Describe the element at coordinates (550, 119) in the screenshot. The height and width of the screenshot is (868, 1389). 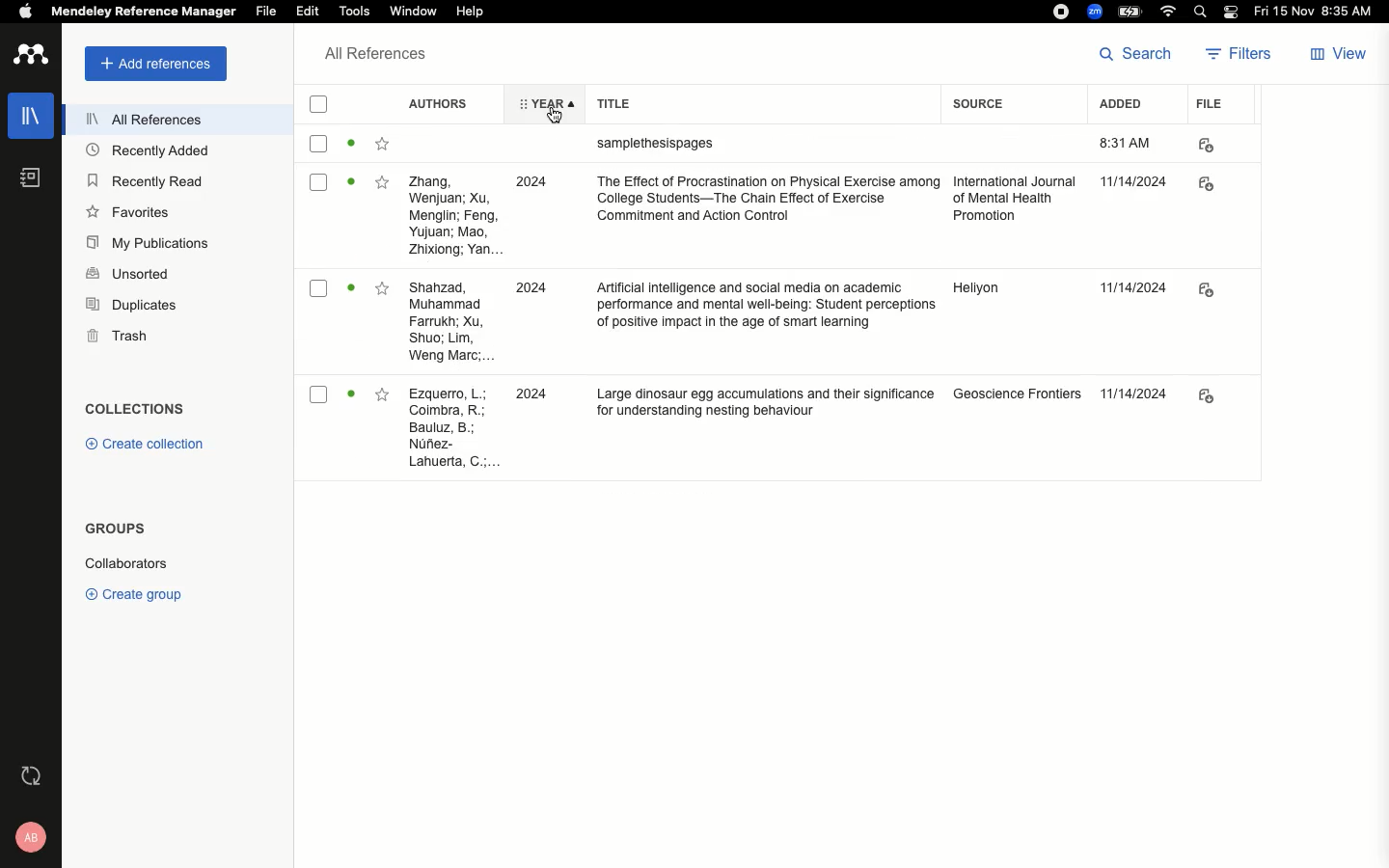
I see `cursor` at that location.